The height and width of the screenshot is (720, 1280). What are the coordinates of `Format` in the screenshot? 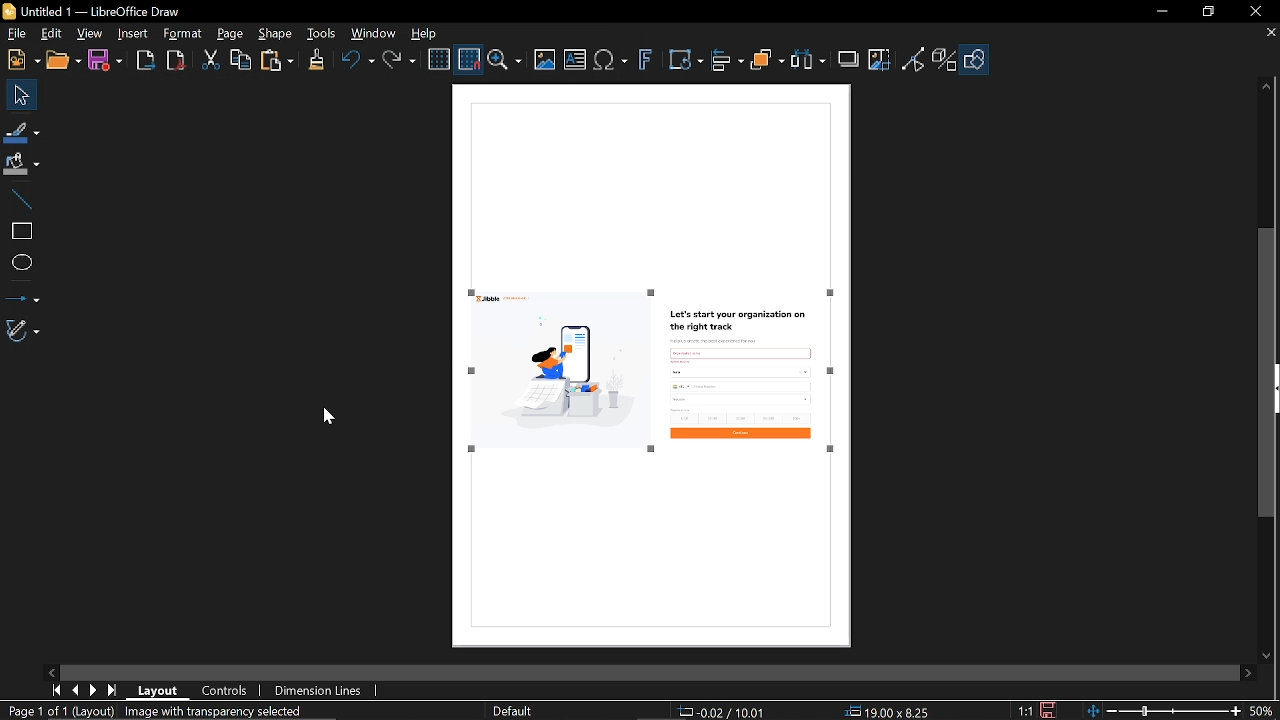 It's located at (184, 34).